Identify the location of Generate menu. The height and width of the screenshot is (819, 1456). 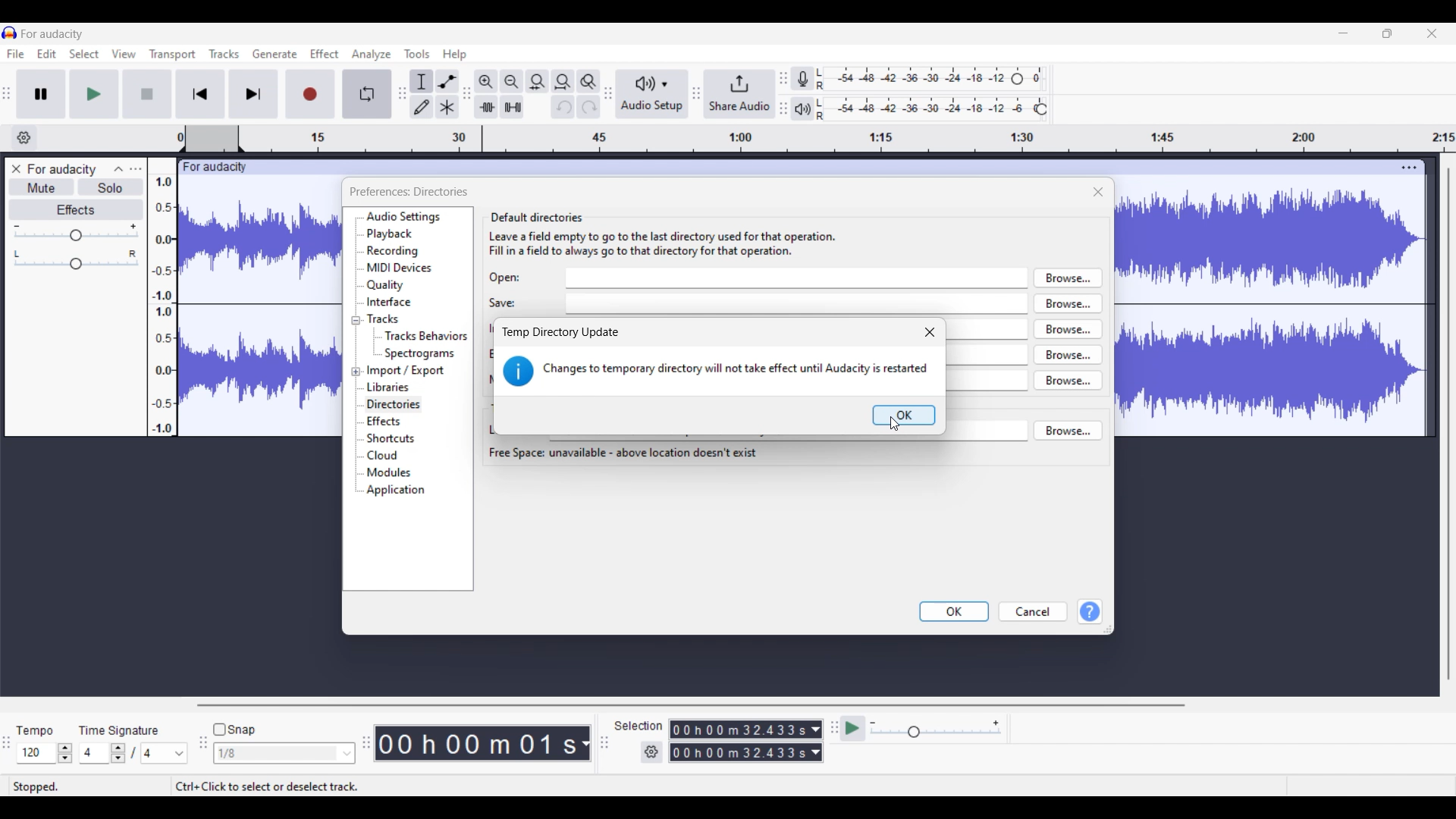
(275, 54).